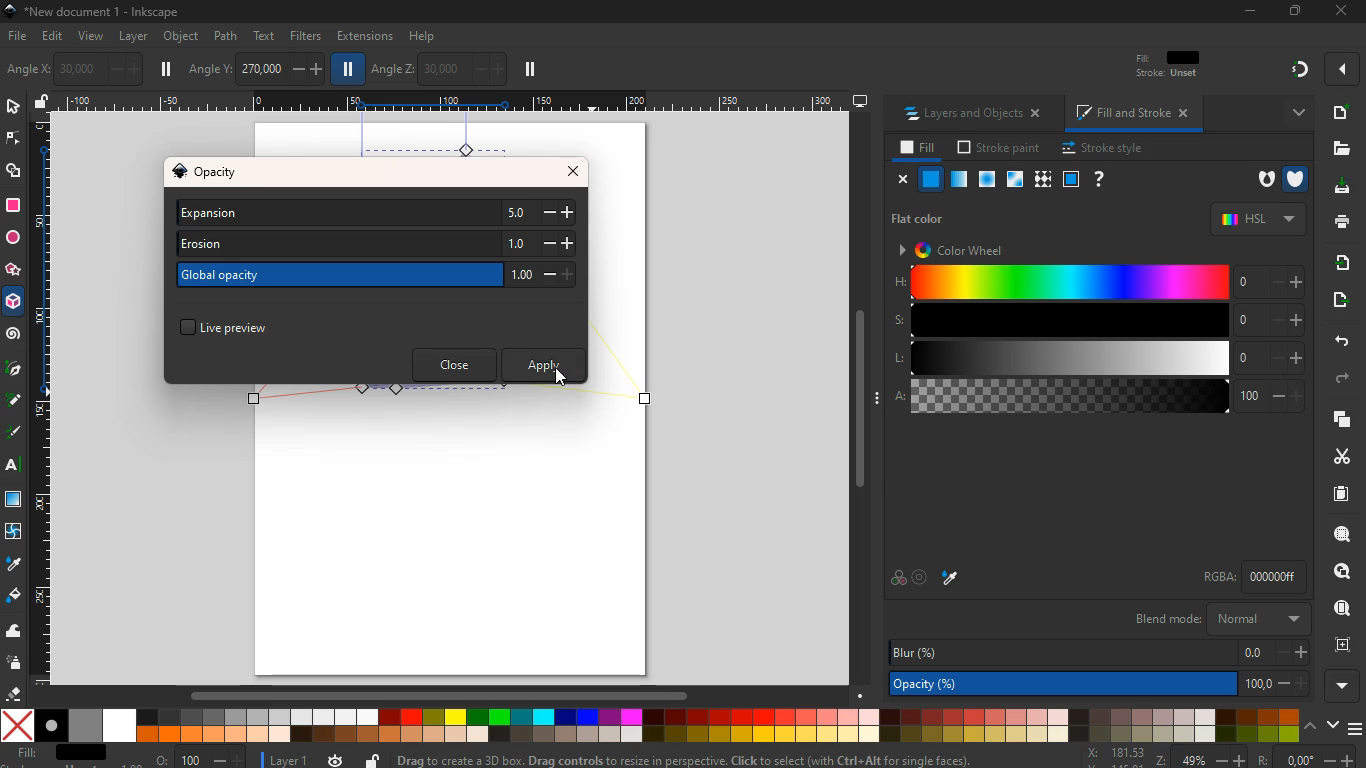  Describe the element at coordinates (1338, 187) in the screenshot. I see `dowload` at that location.